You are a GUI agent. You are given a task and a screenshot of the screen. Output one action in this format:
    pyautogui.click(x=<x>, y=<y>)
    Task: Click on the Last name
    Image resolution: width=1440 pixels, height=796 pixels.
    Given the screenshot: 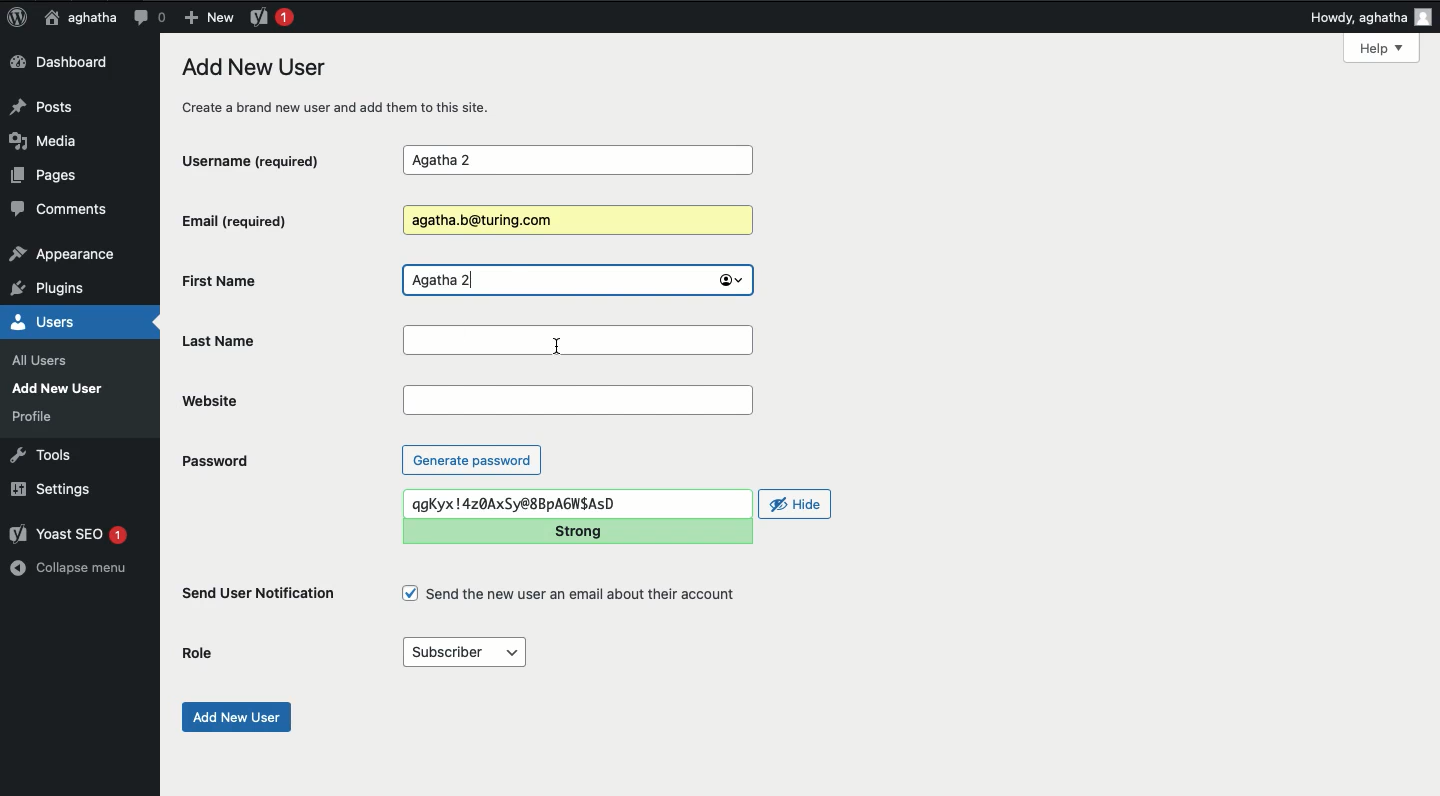 What is the action you would take?
    pyautogui.click(x=287, y=340)
    